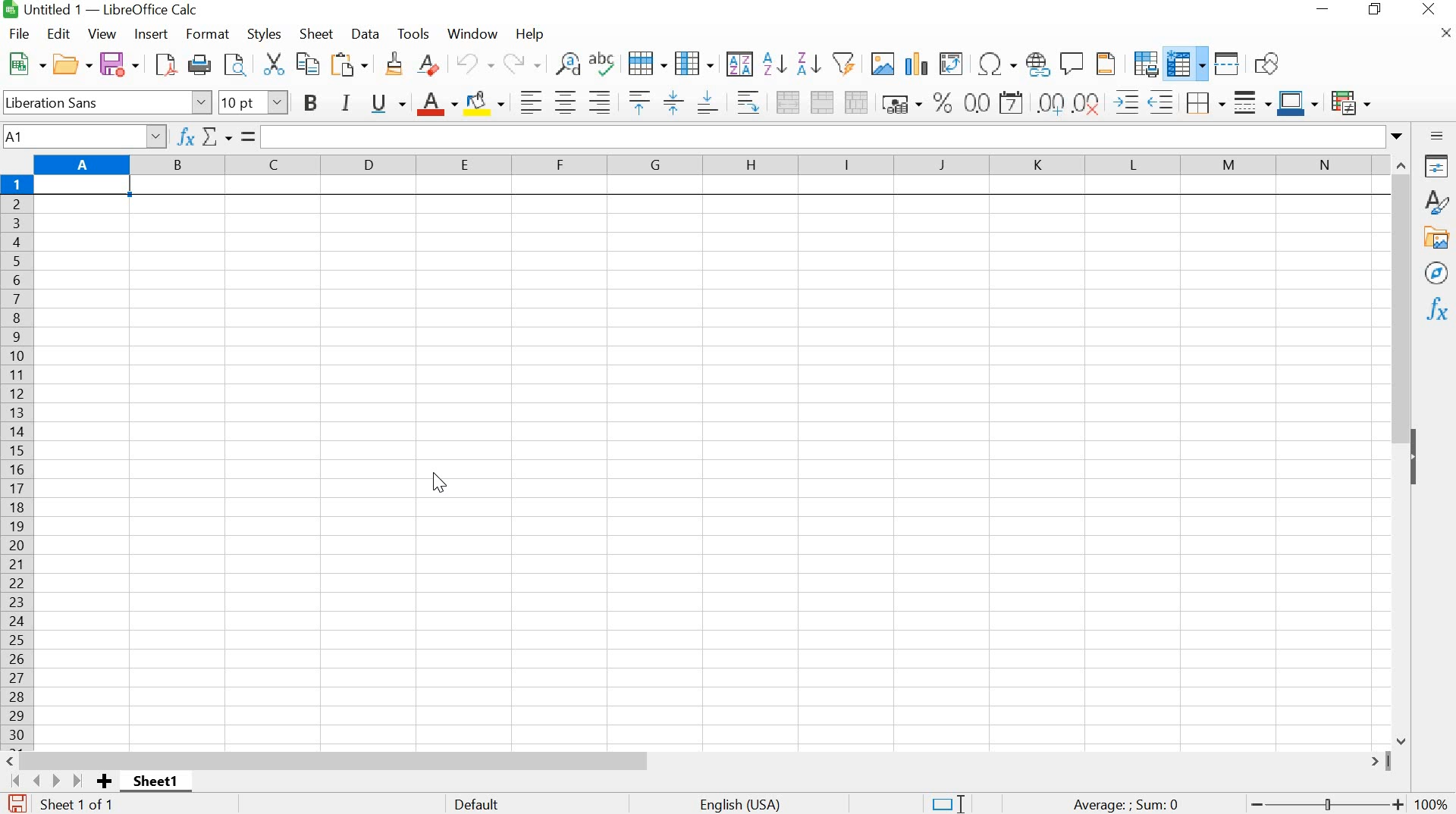 This screenshot has height=814, width=1456. What do you see at coordinates (996, 64) in the screenshot?
I see `INSERT SPECIAL CHARACTERS` at bounding box center [996, 64].